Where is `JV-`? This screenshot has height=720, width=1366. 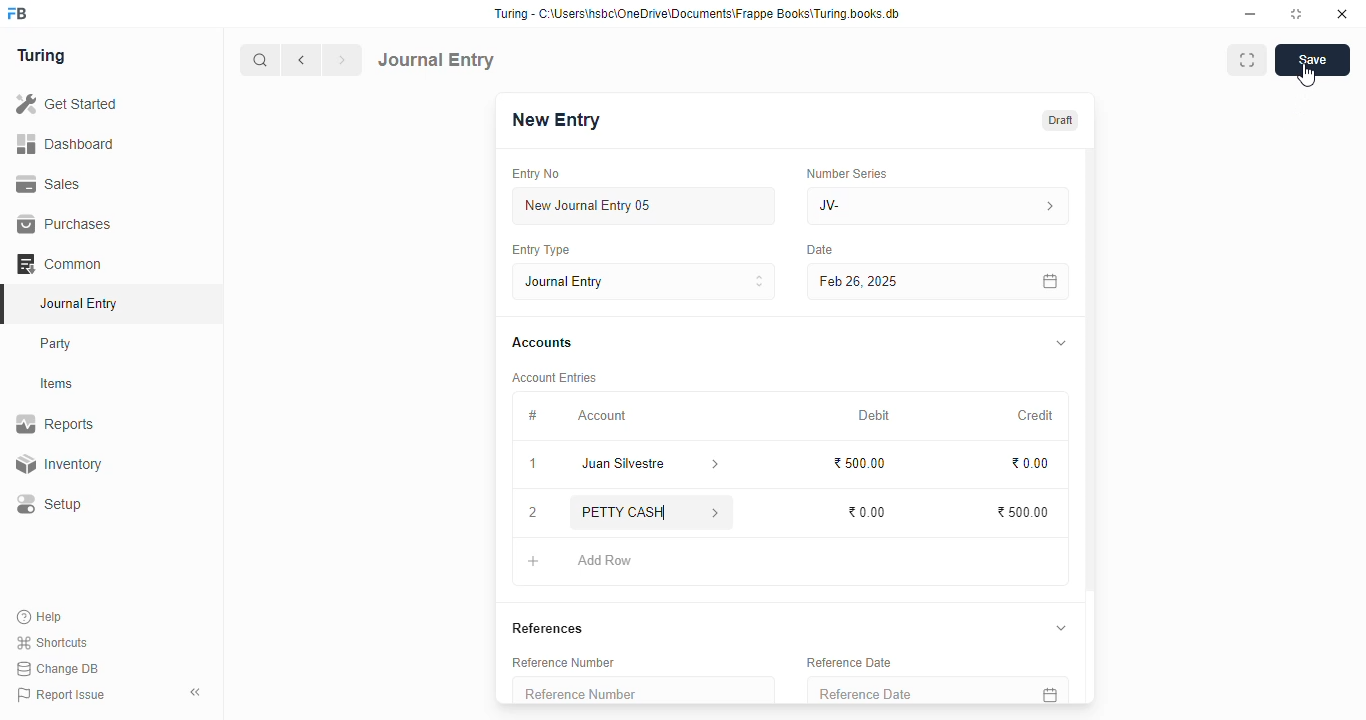 JV- is located at coordinates (939, 206).